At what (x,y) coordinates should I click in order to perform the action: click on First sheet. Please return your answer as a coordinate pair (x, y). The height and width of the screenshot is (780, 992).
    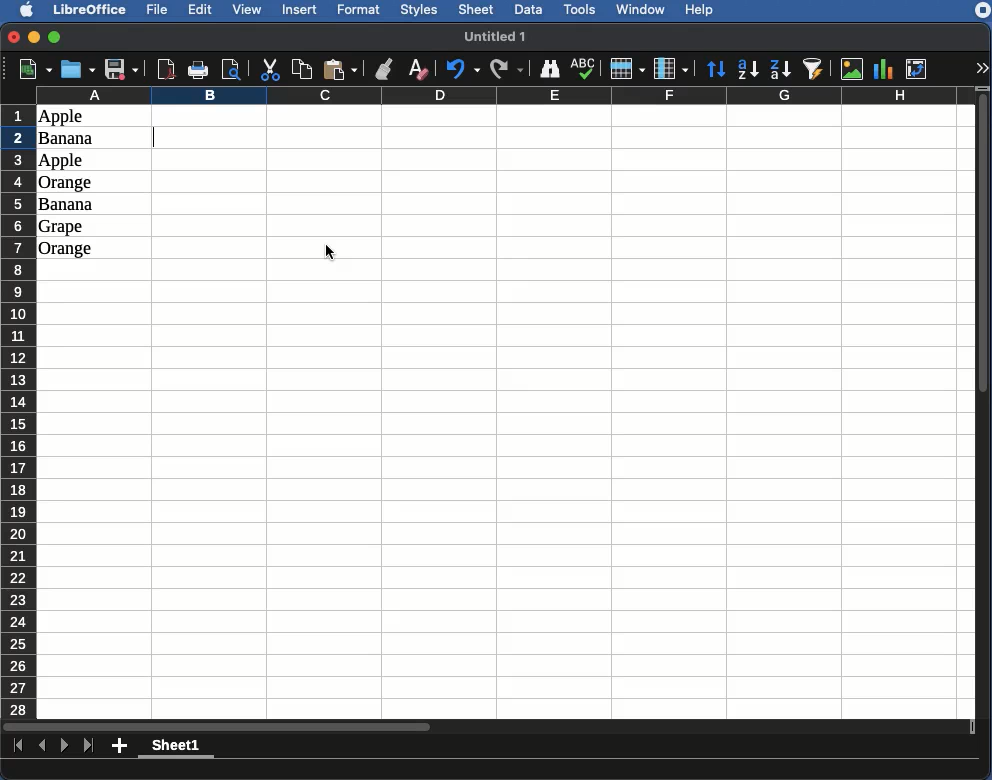
    Looking at the image, I should click on (15, 746).